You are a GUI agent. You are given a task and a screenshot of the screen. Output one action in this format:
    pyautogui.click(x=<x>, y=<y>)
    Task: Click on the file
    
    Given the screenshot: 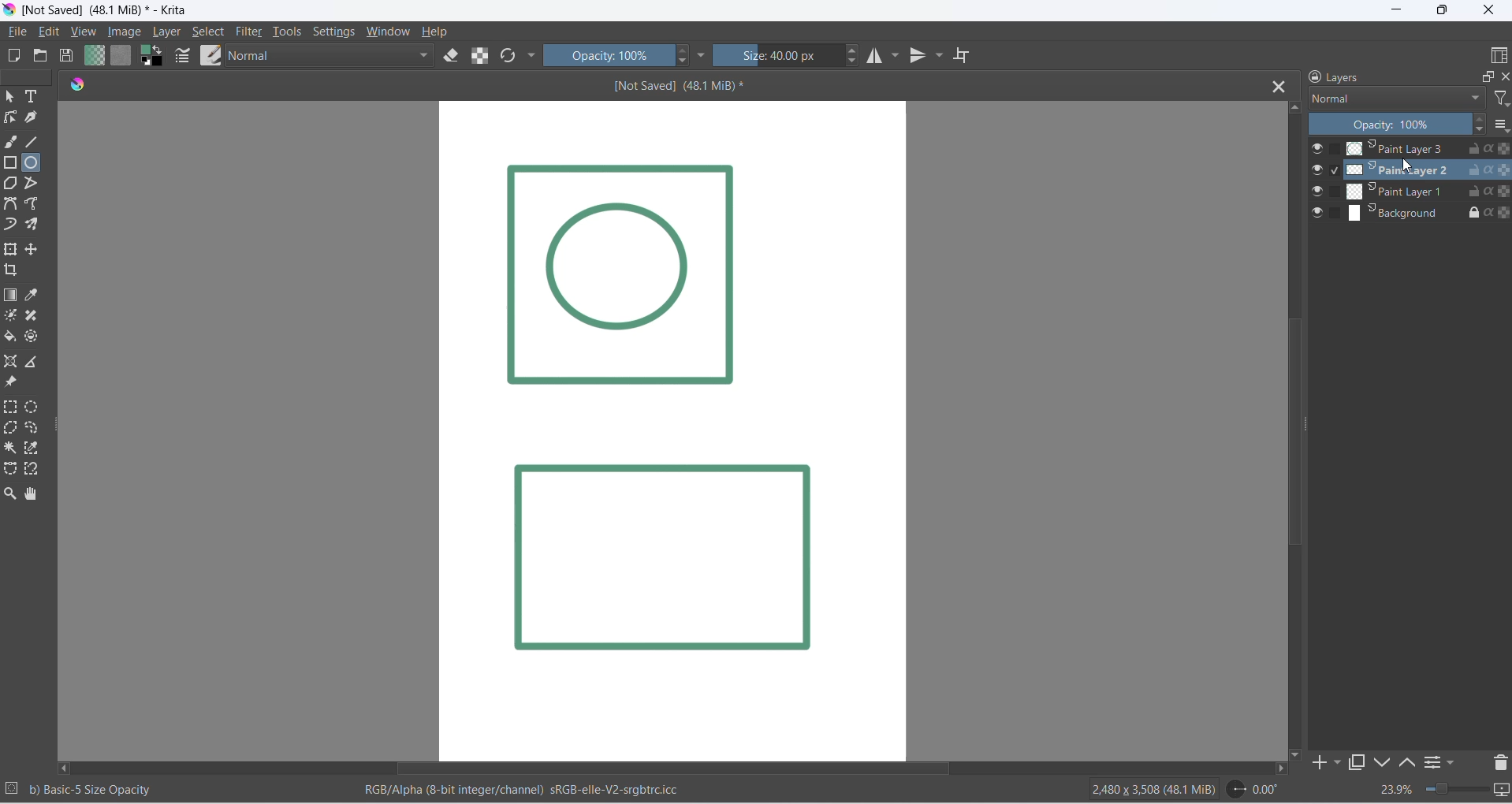 What is the action you would take?
    pyautogui.click(x=18, y=33)
    